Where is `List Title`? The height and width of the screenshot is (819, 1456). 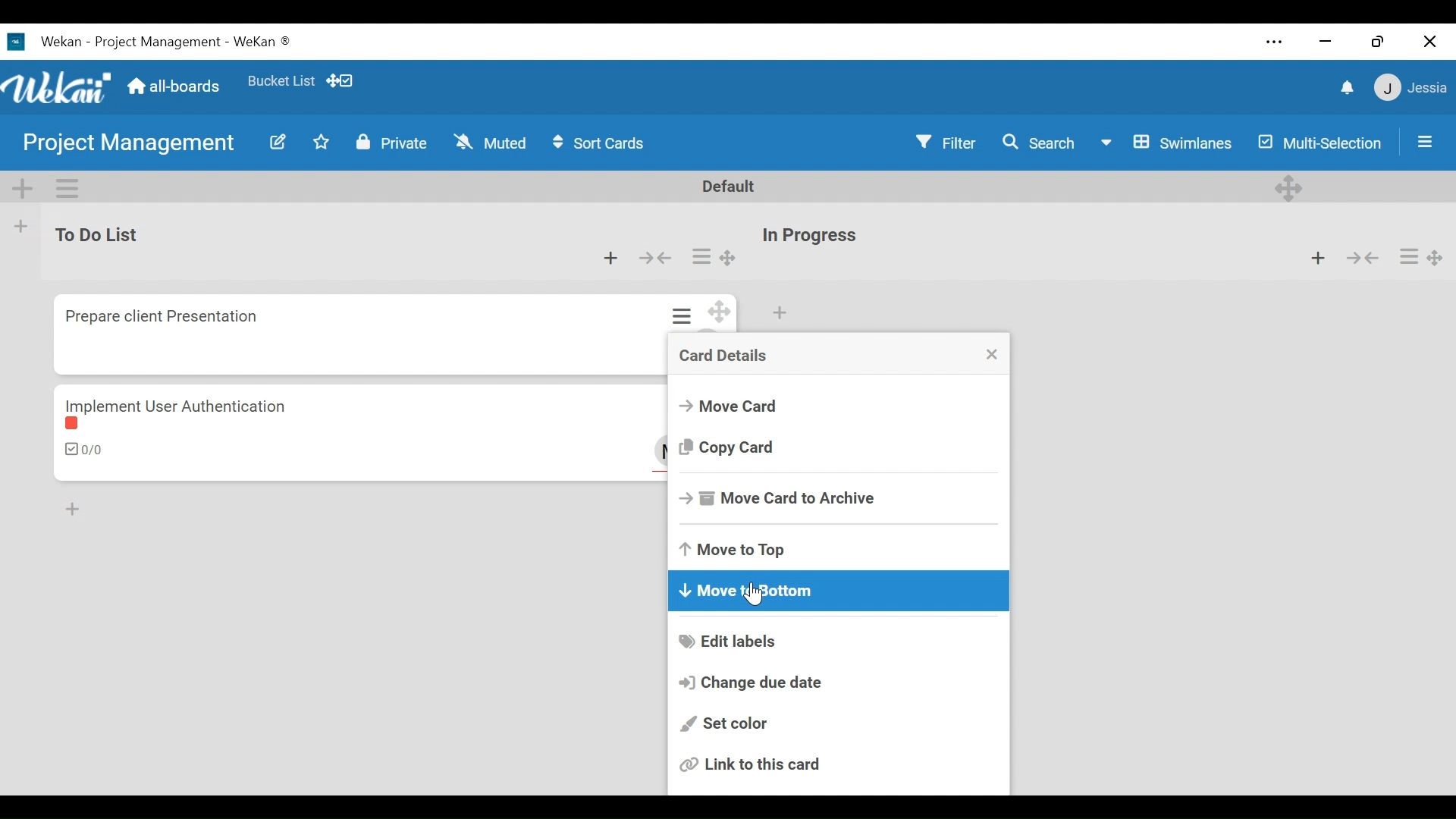
List Title is located at coordinates (102, 234).